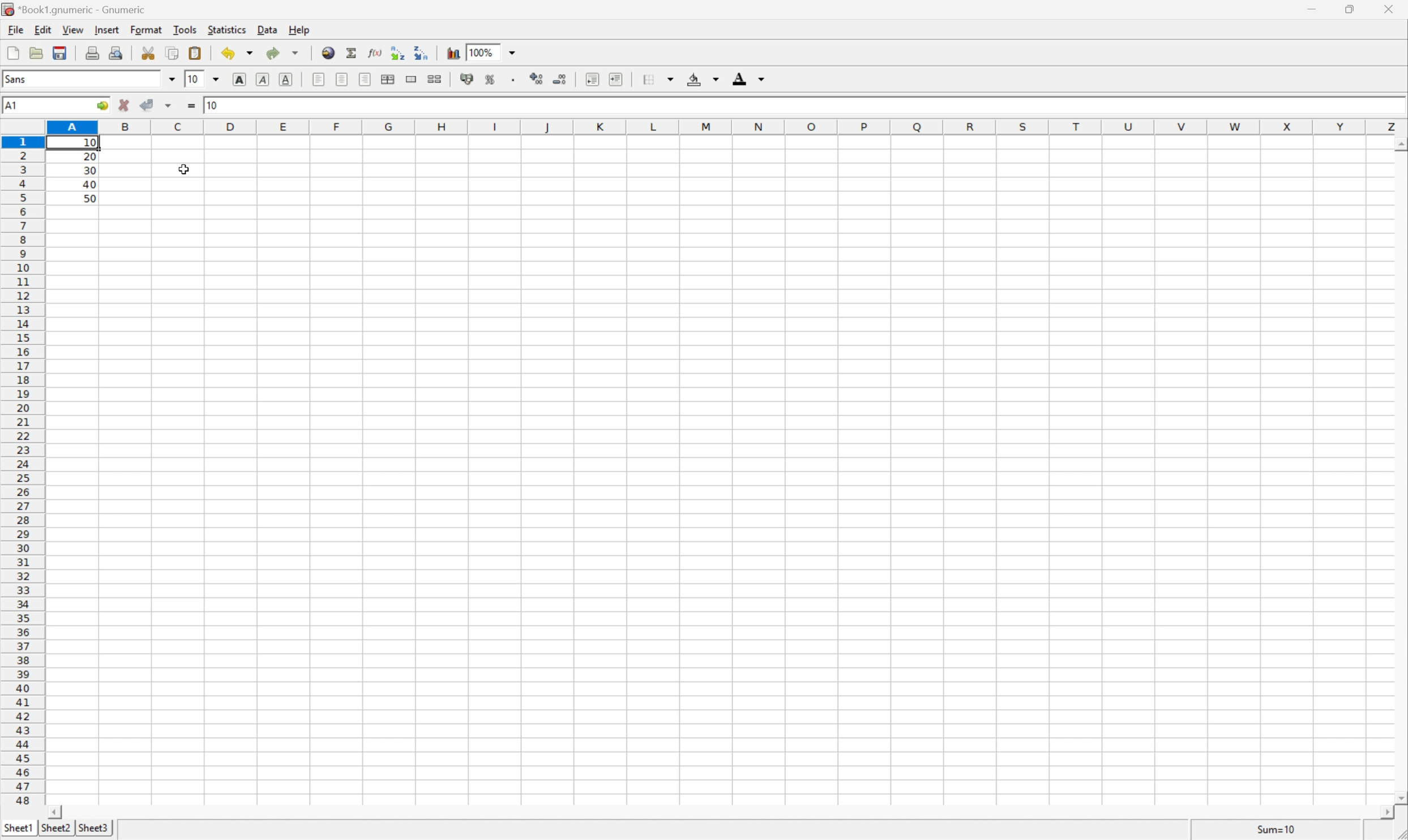  Describe the element at coordinates (119, 52) in the screenshot. I see `Print preview` at that location.